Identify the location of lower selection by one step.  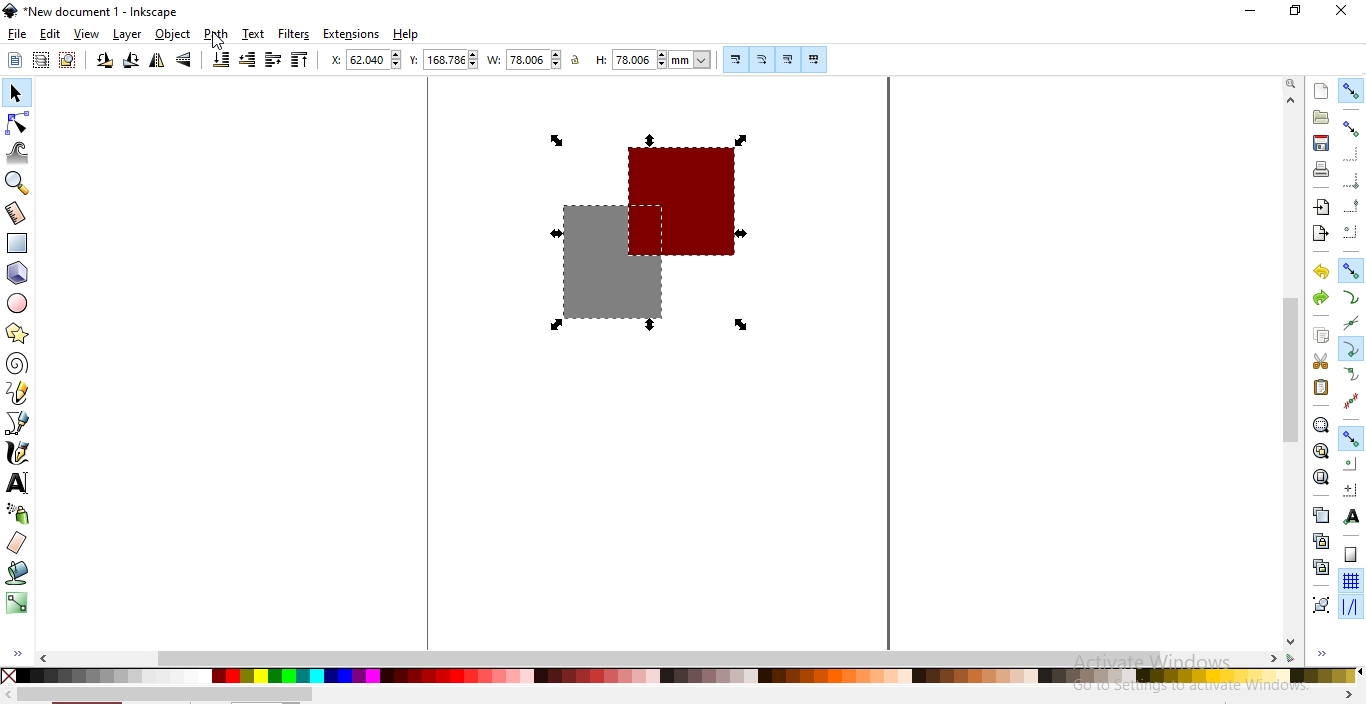
(247, 60).